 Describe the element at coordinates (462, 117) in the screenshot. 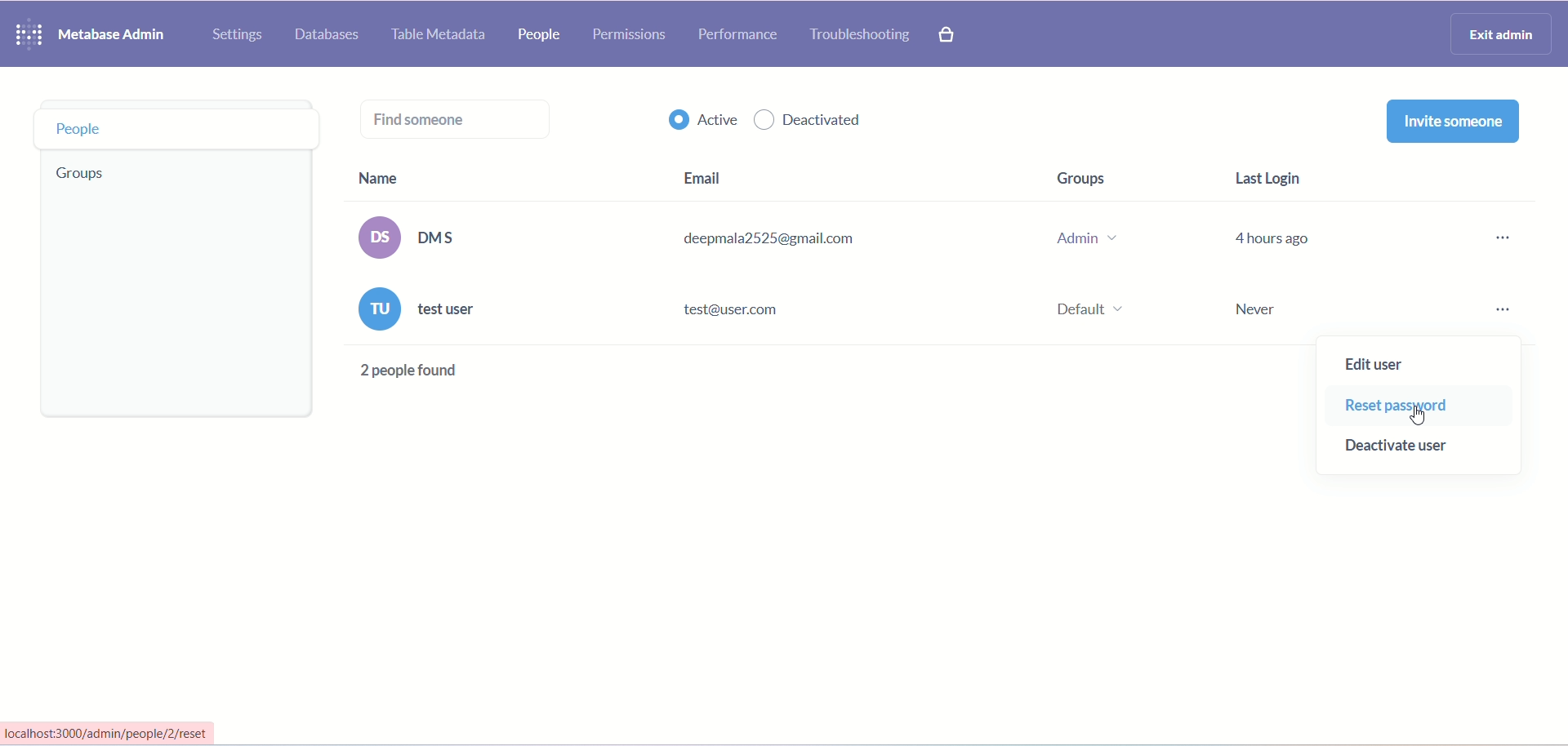

I see `find someone` at that location.